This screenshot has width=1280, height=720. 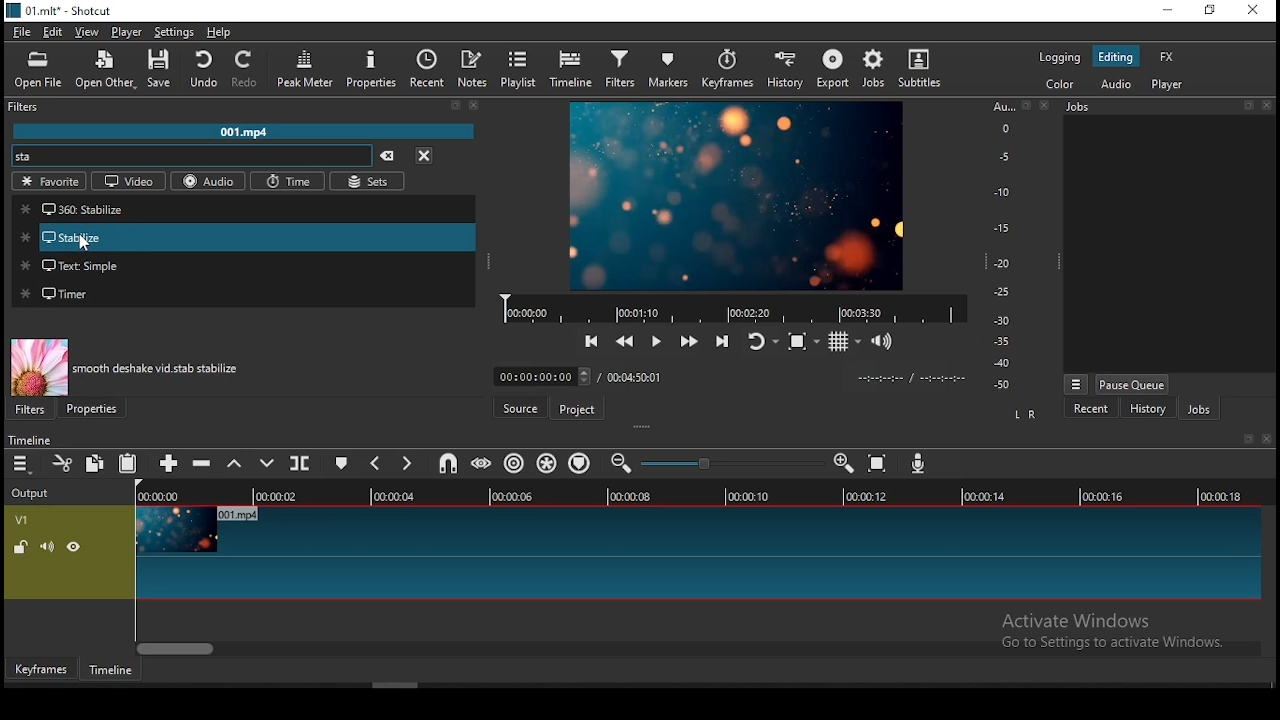 I want to click on drag, so click(x=1053, y=264).